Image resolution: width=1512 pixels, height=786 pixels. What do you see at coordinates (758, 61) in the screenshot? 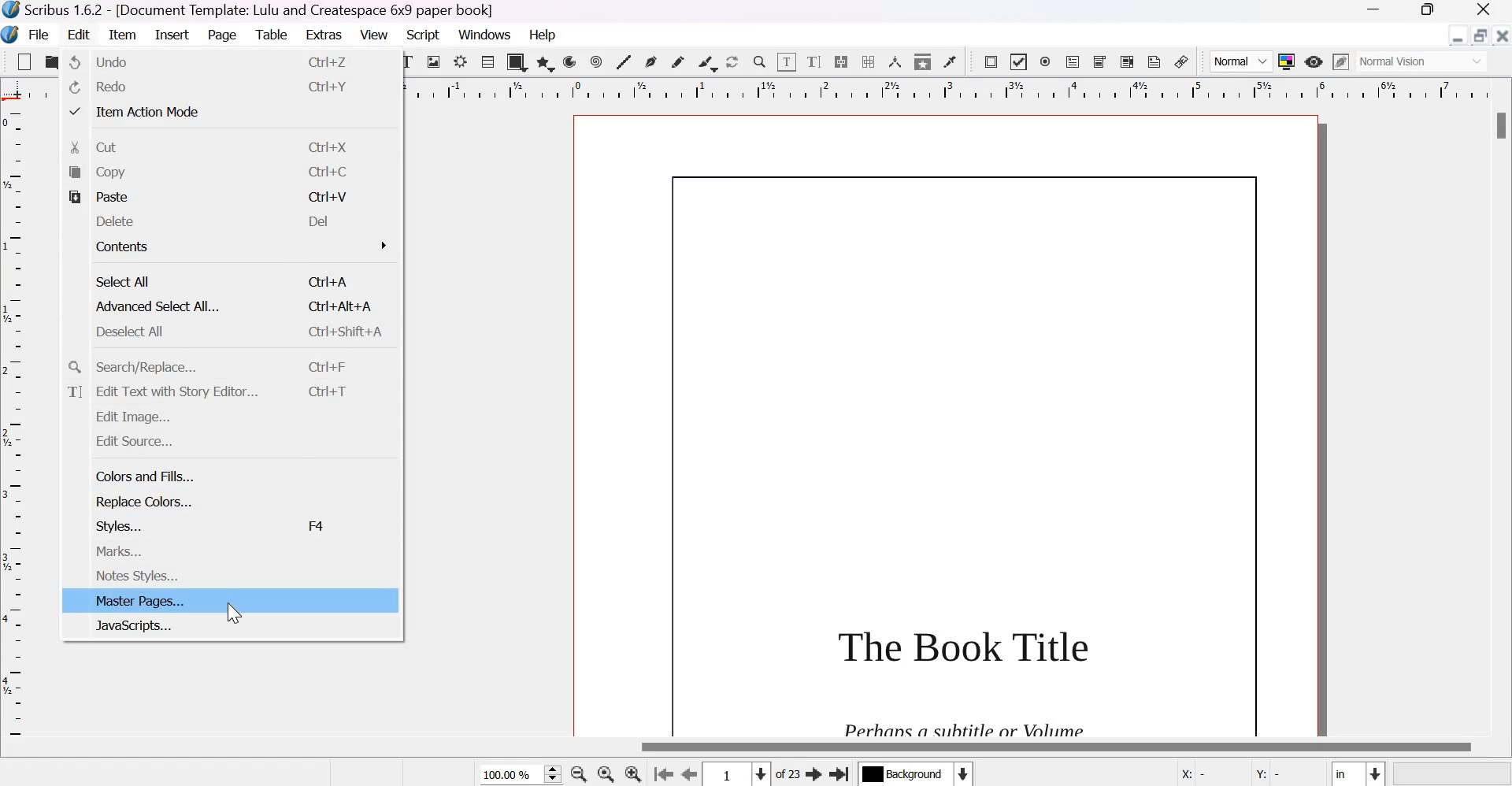
I see `Zoom in or out` at bounding box center [758, 61].